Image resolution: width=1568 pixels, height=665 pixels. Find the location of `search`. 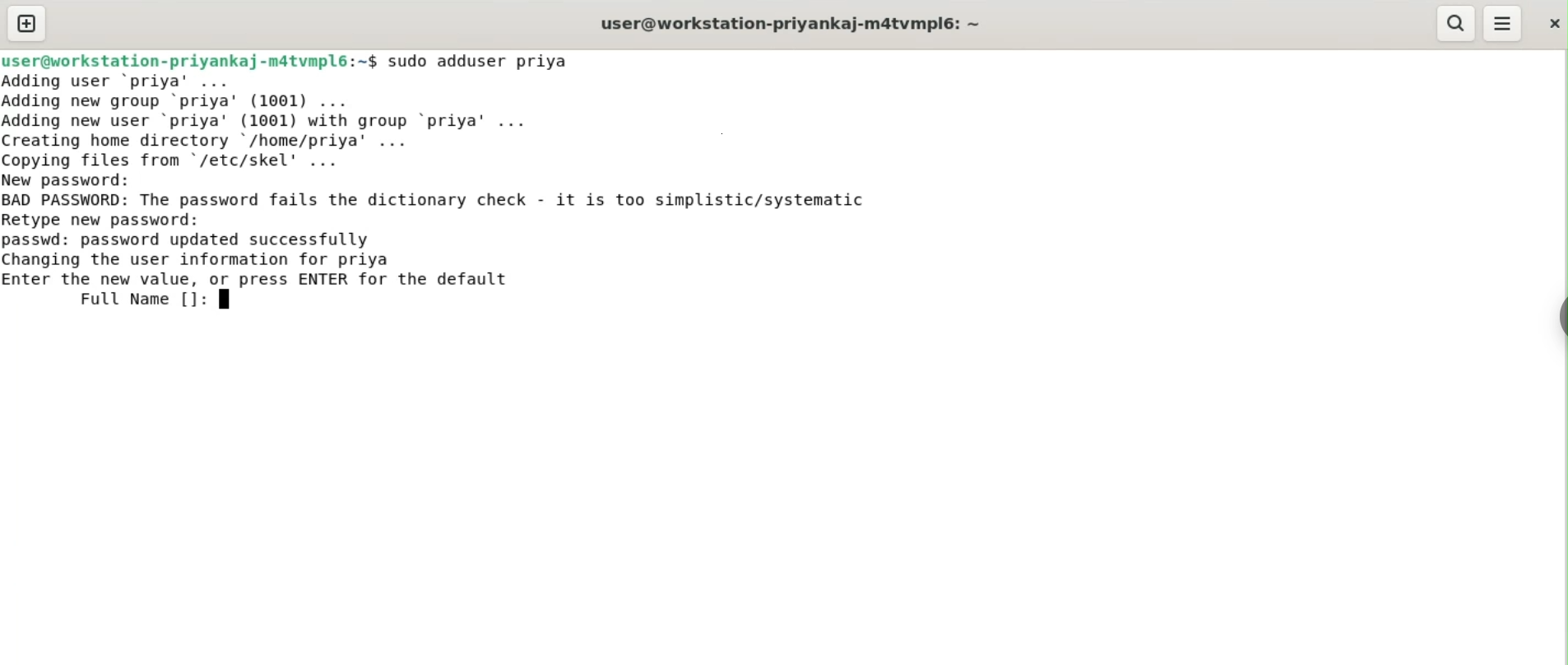

search is located at coordinates (1457, 24).